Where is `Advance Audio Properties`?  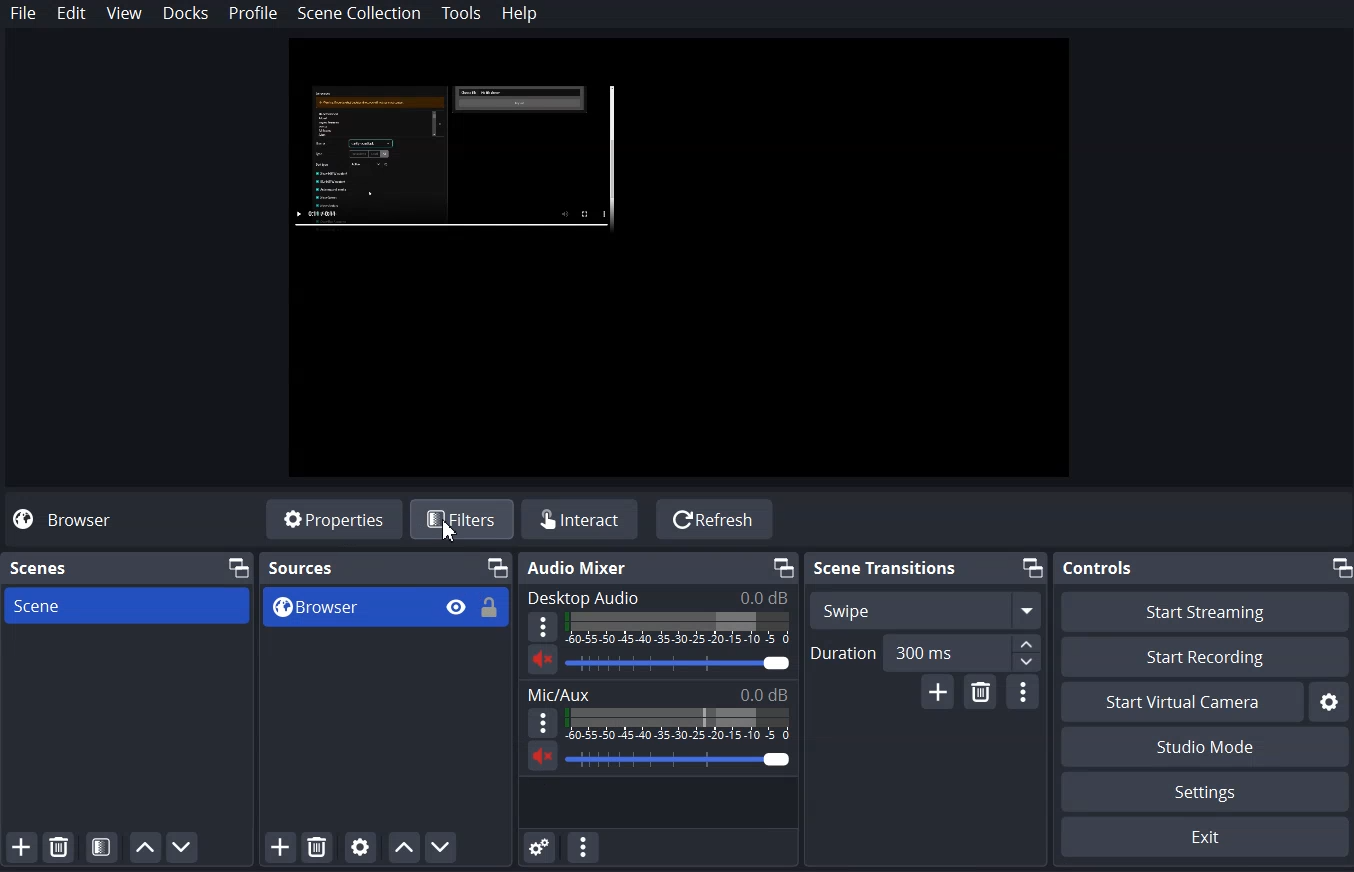 Advance Audio Properties is located at coordinates (540, 847).